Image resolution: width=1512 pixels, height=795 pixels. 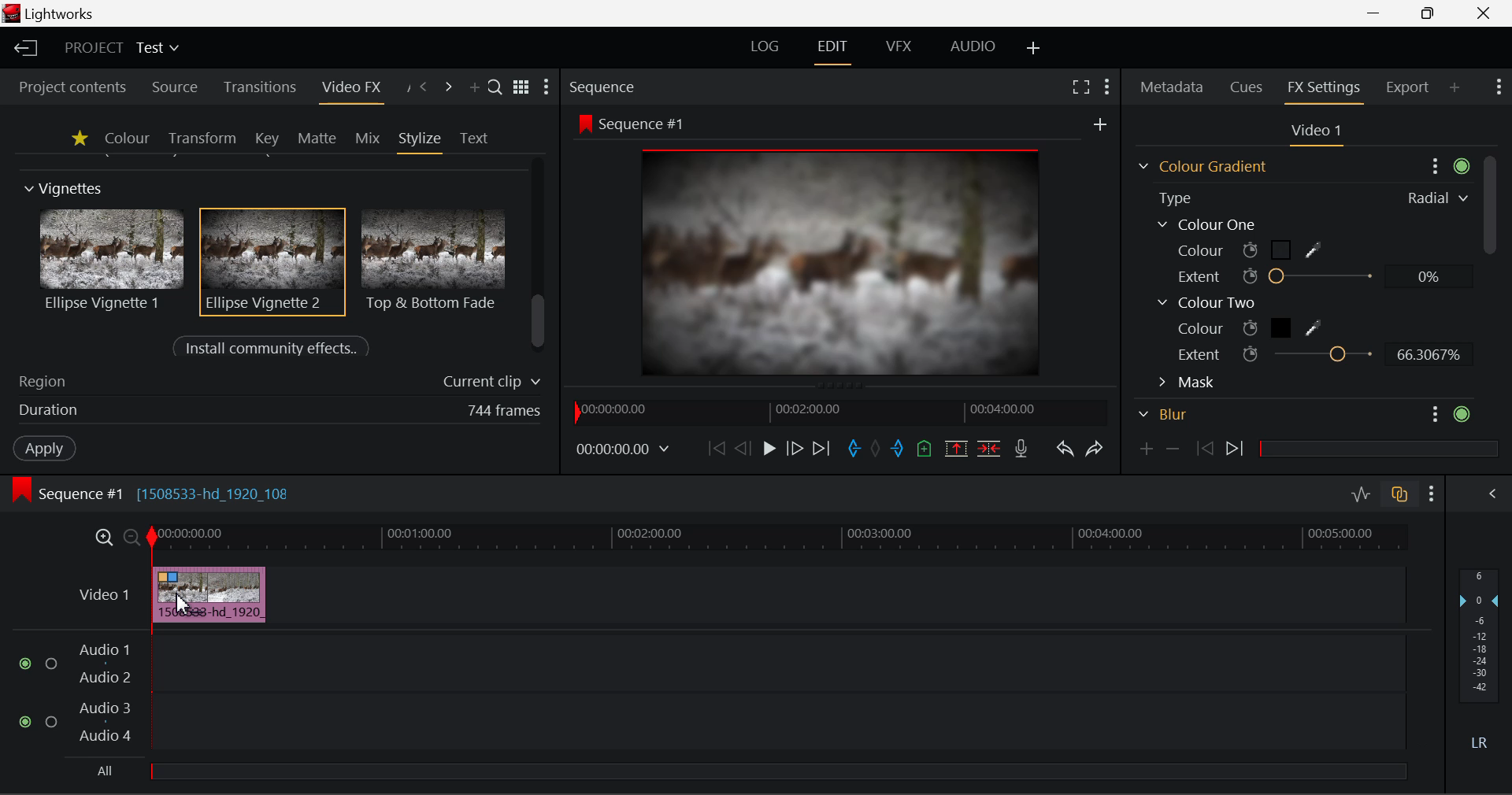 I want to click on Vignettes Section, so click(x=65, y=189).